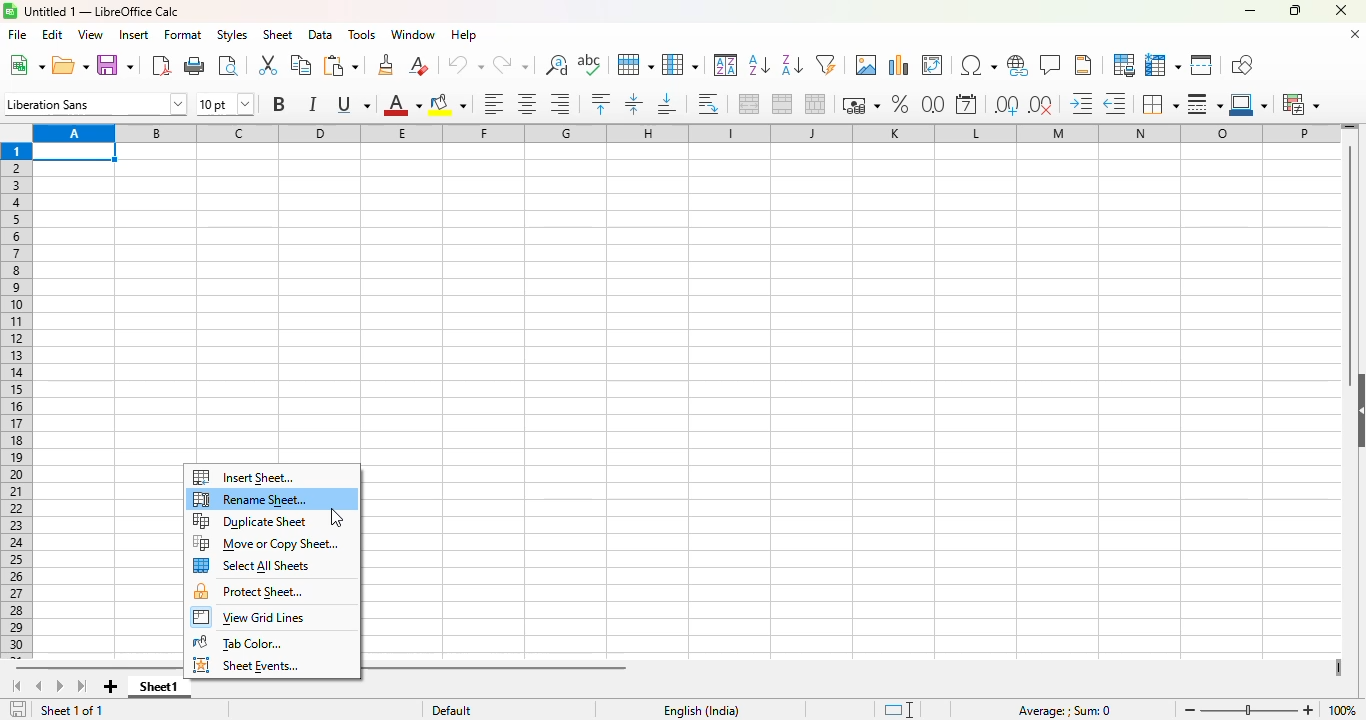 The image size is (1366, 720). Describe the element at coordinates (1202, 65) in the screenshot. I see `split window` at that location.